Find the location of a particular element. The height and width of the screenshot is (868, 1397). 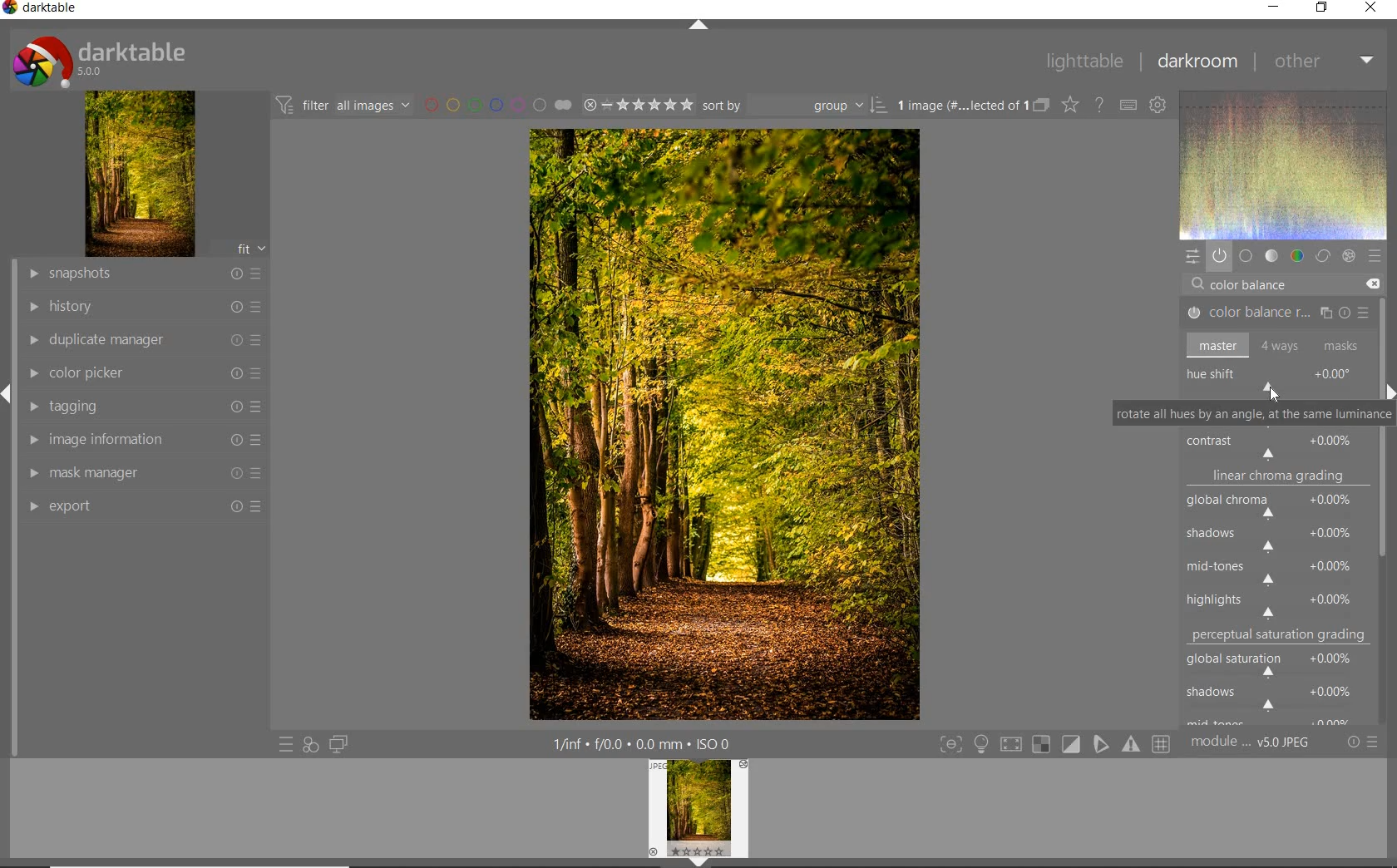

COLOR BALANCE RGB is located at coordinates (1273, 313).